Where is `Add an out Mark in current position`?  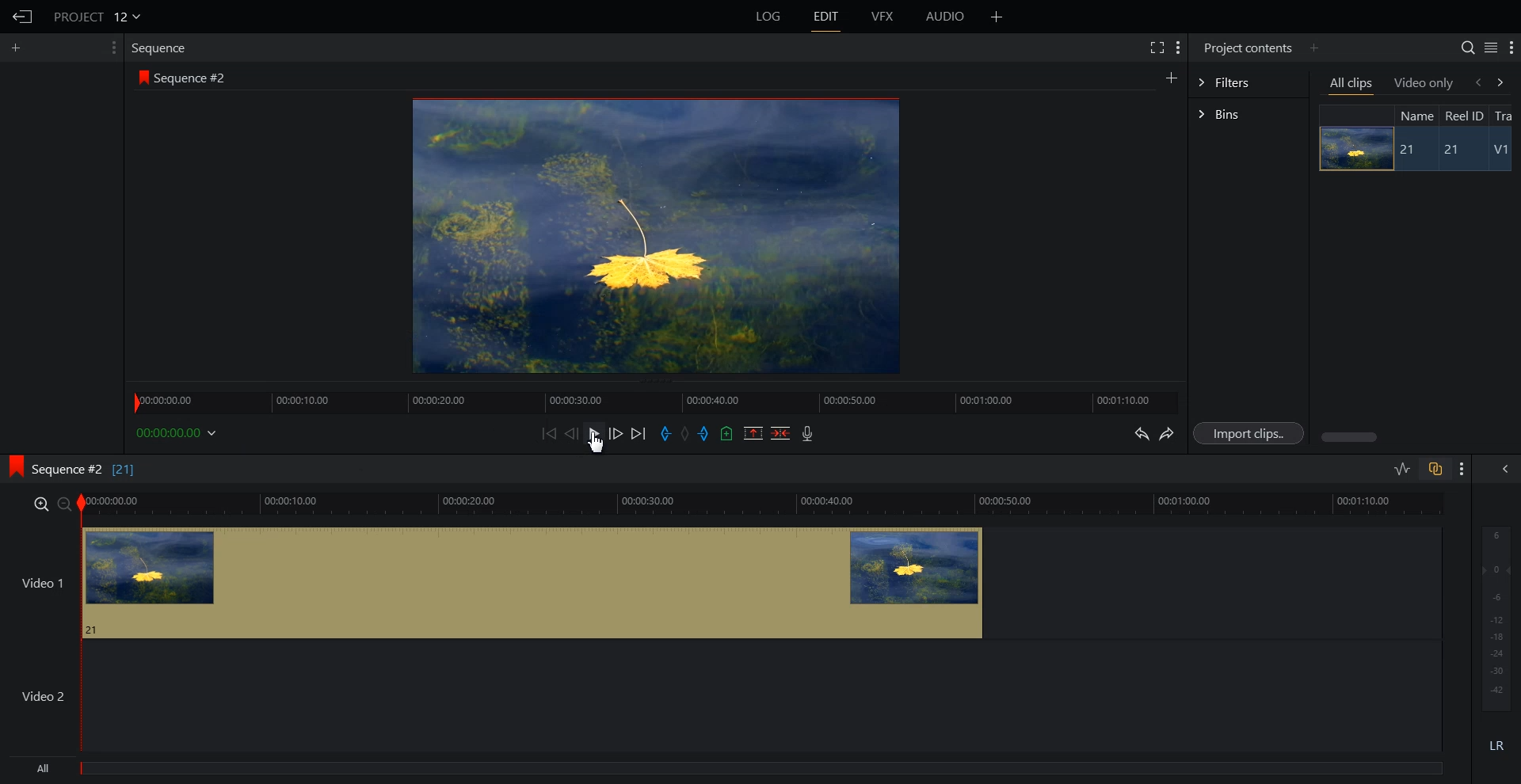 Add an out Mark in current position is located at coordinates (706, 433).